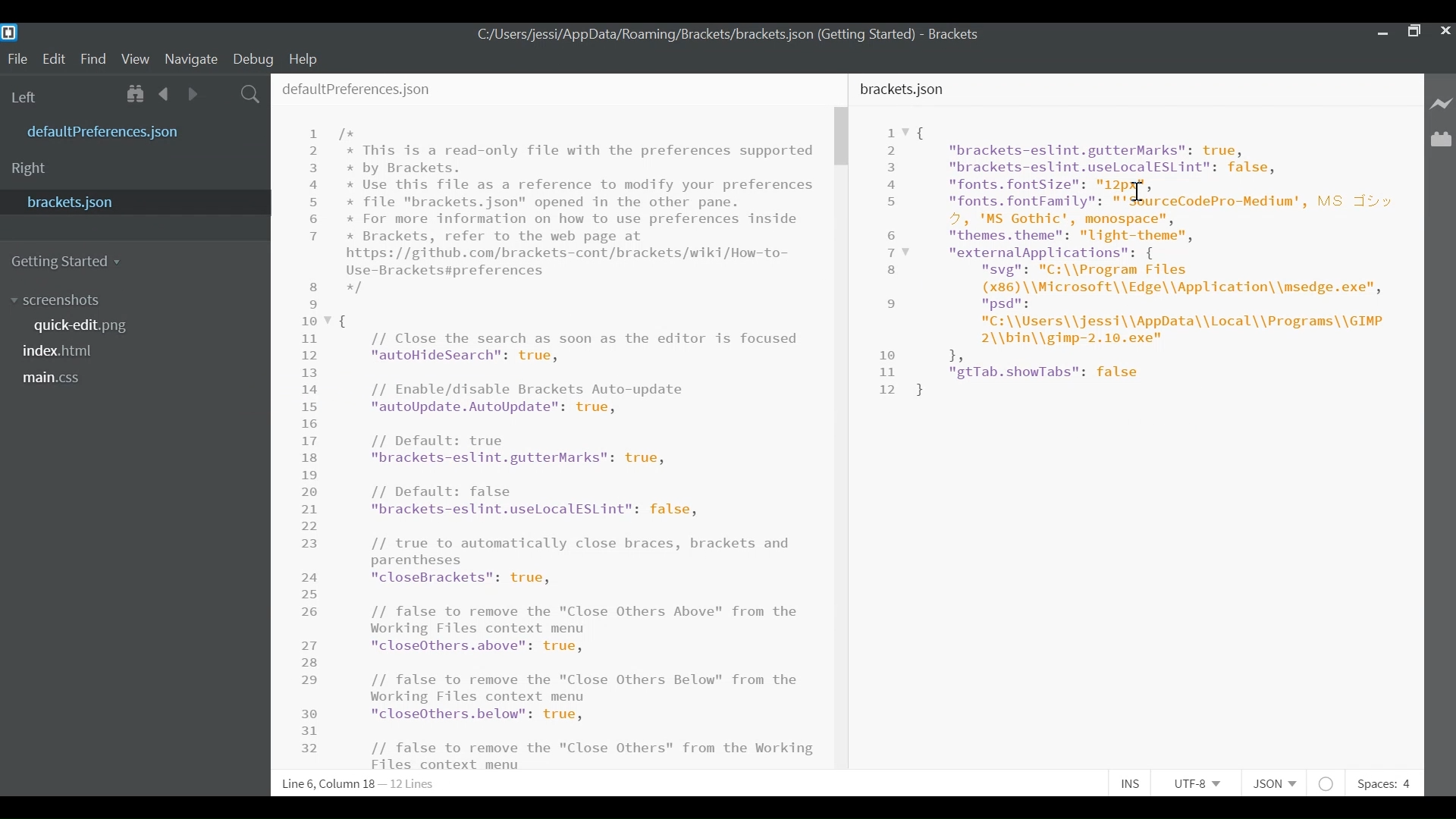  Describe the element at coordinates (27, 96) in the screenshot. I see `Left` at that location.